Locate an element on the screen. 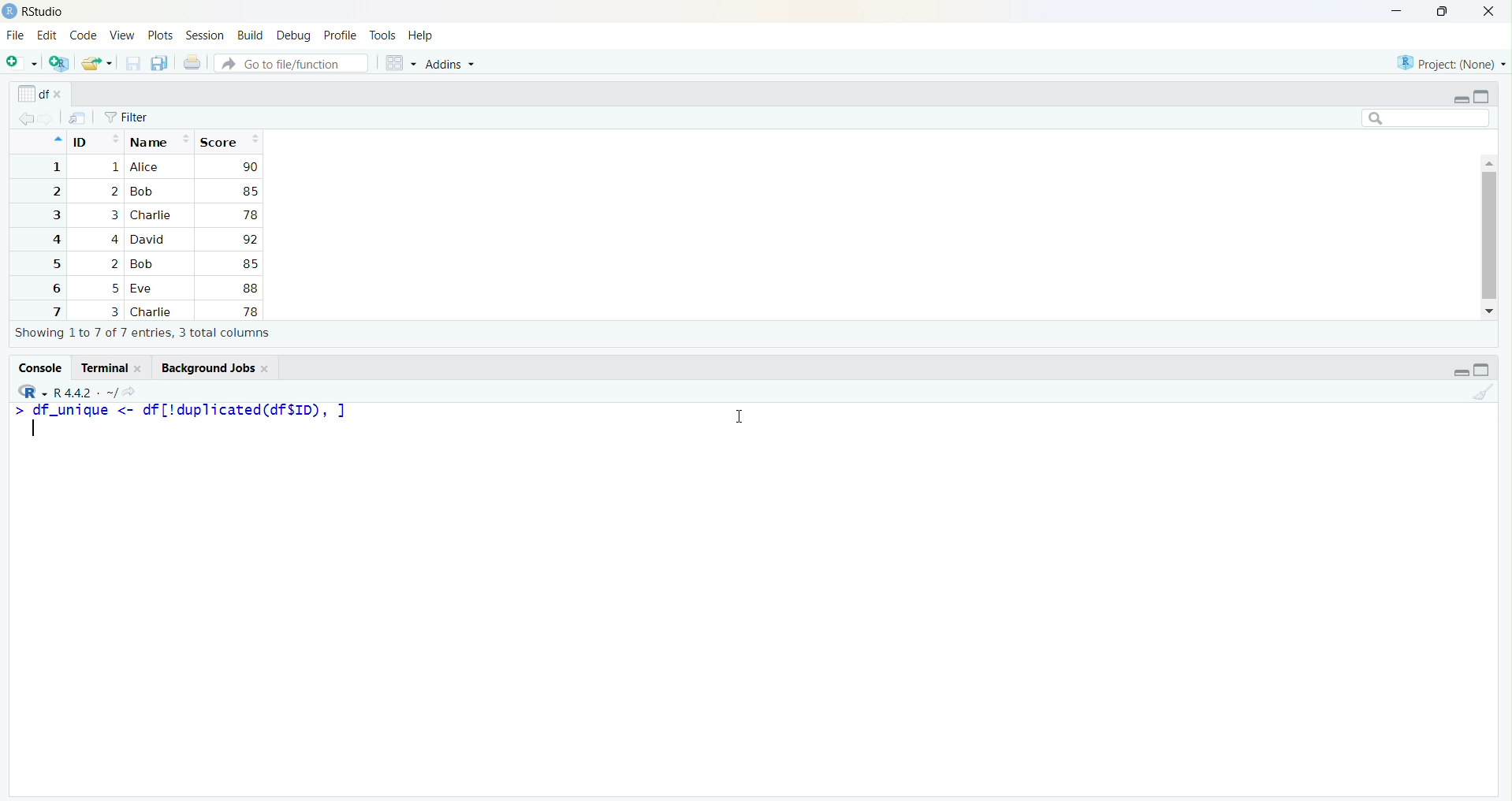  Bob is located at coordinates (146, 264).